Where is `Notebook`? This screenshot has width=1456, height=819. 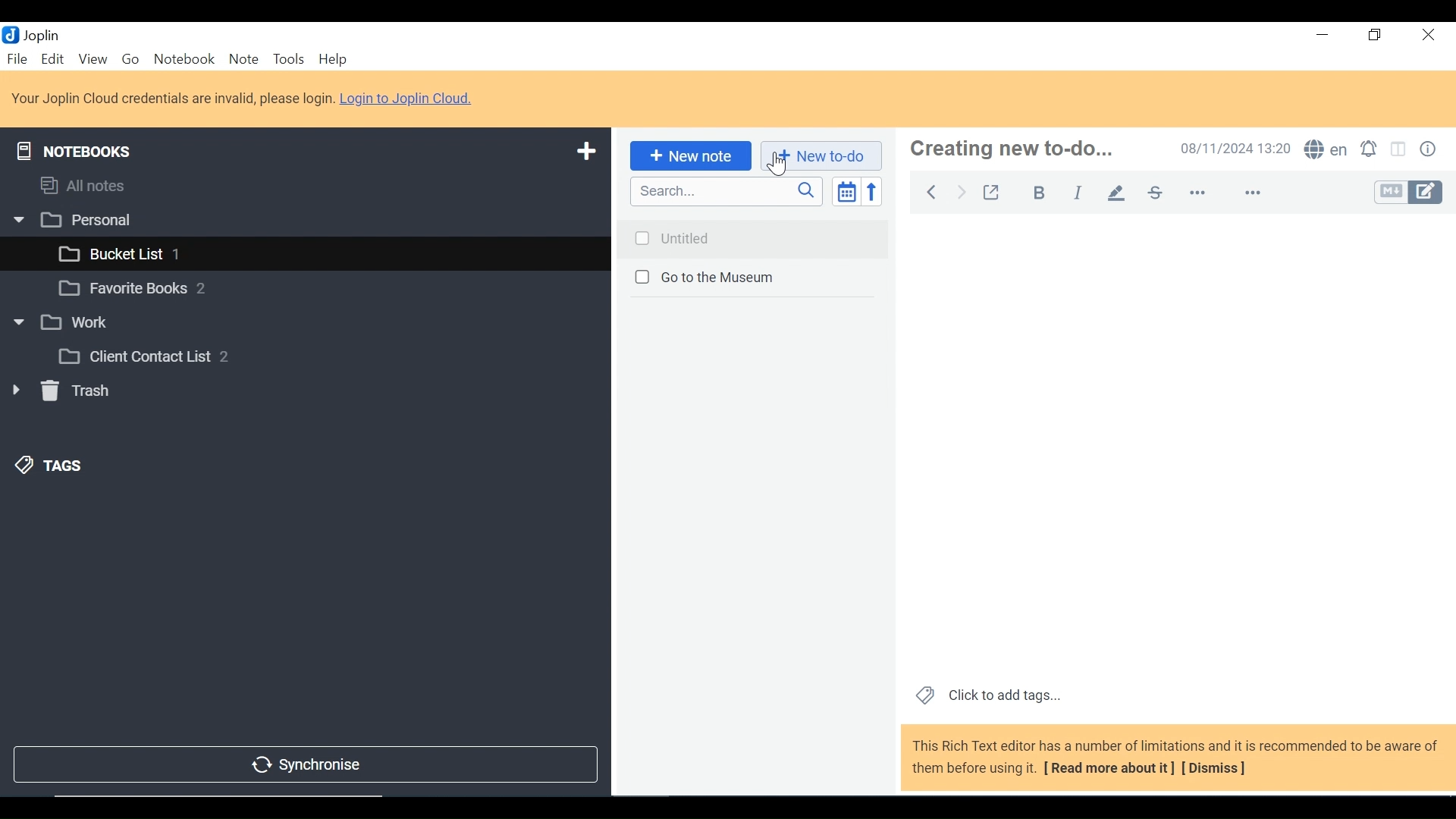
Notebook is located at coordinates (306, 322).